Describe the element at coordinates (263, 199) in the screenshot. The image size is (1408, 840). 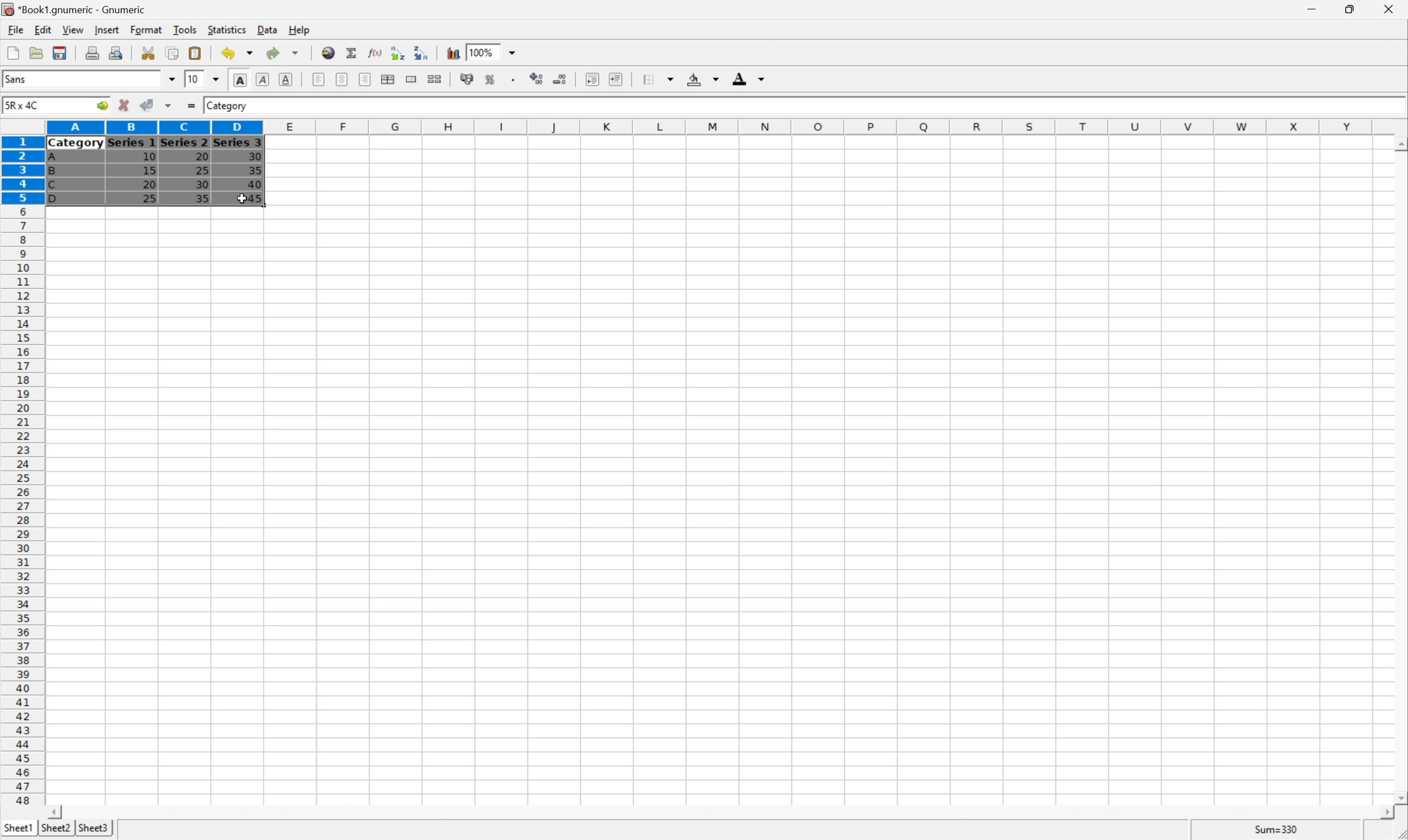
I see `45` at that location.